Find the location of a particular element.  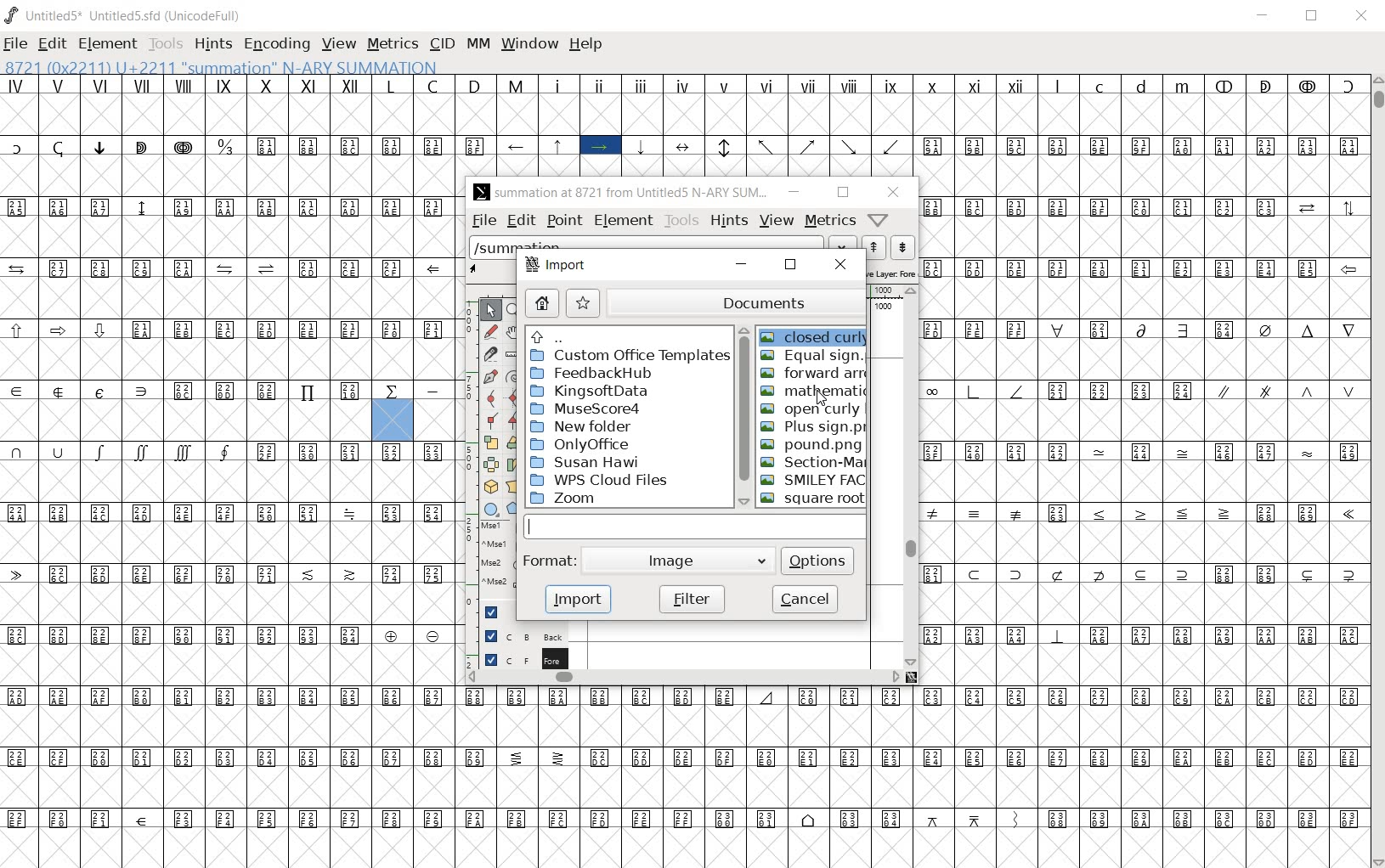

WINDOW is located at coordinates (529, 44).